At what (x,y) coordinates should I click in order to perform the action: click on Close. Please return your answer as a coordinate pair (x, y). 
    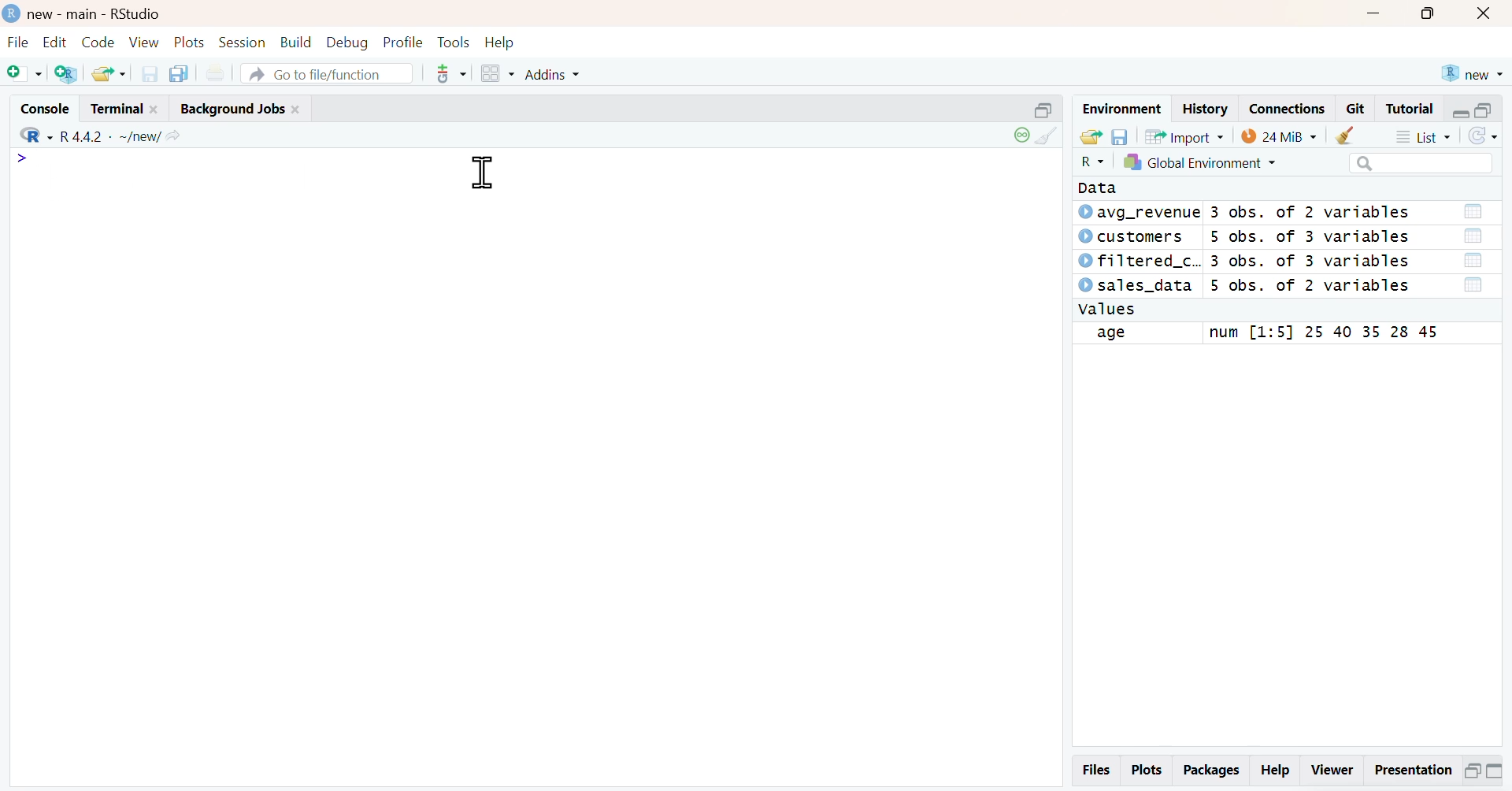
    Looking at the image, I should click on (1483, 14).